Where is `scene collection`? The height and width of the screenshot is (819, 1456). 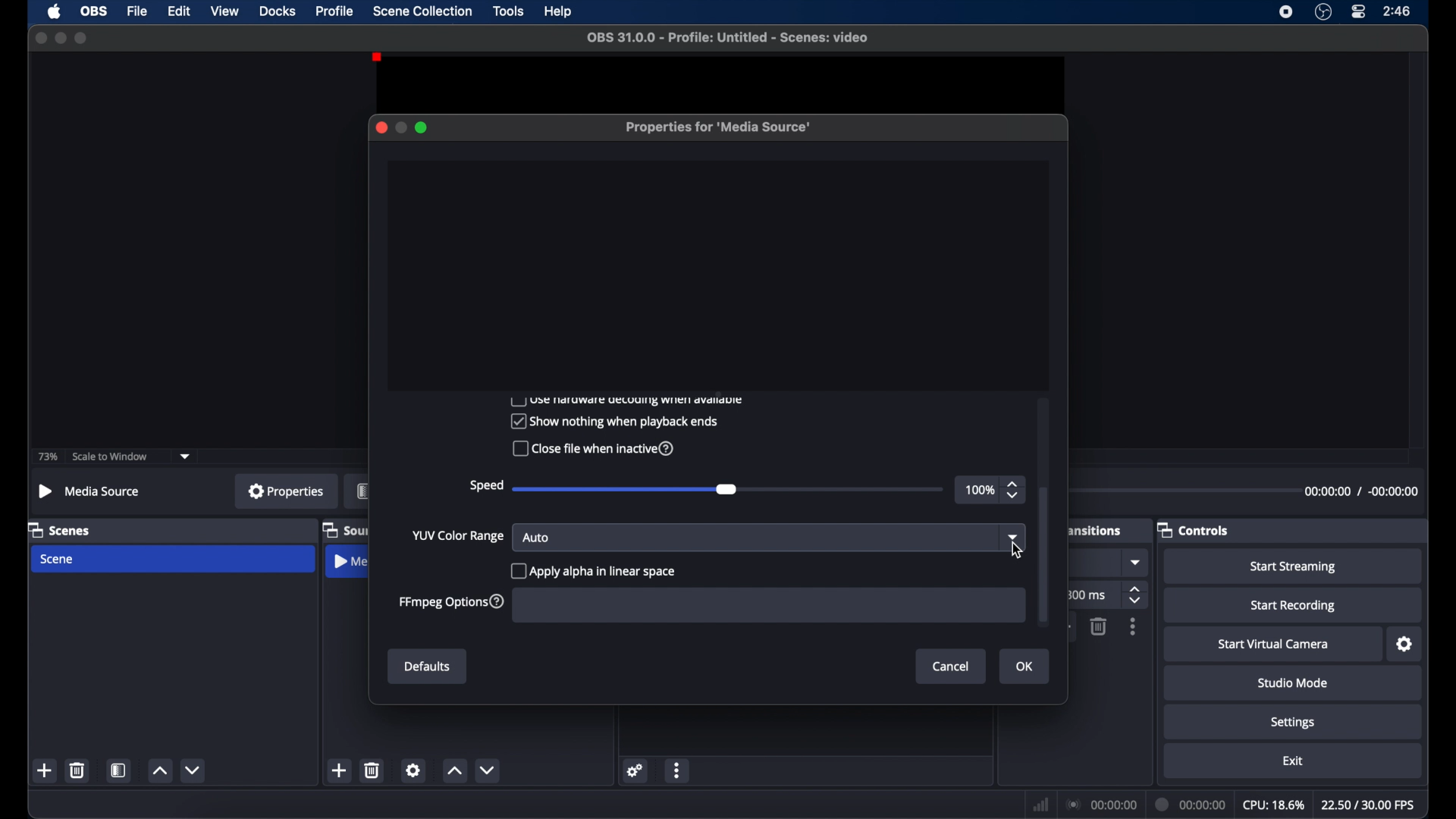 scene collection is located at coordinates (422, 11).